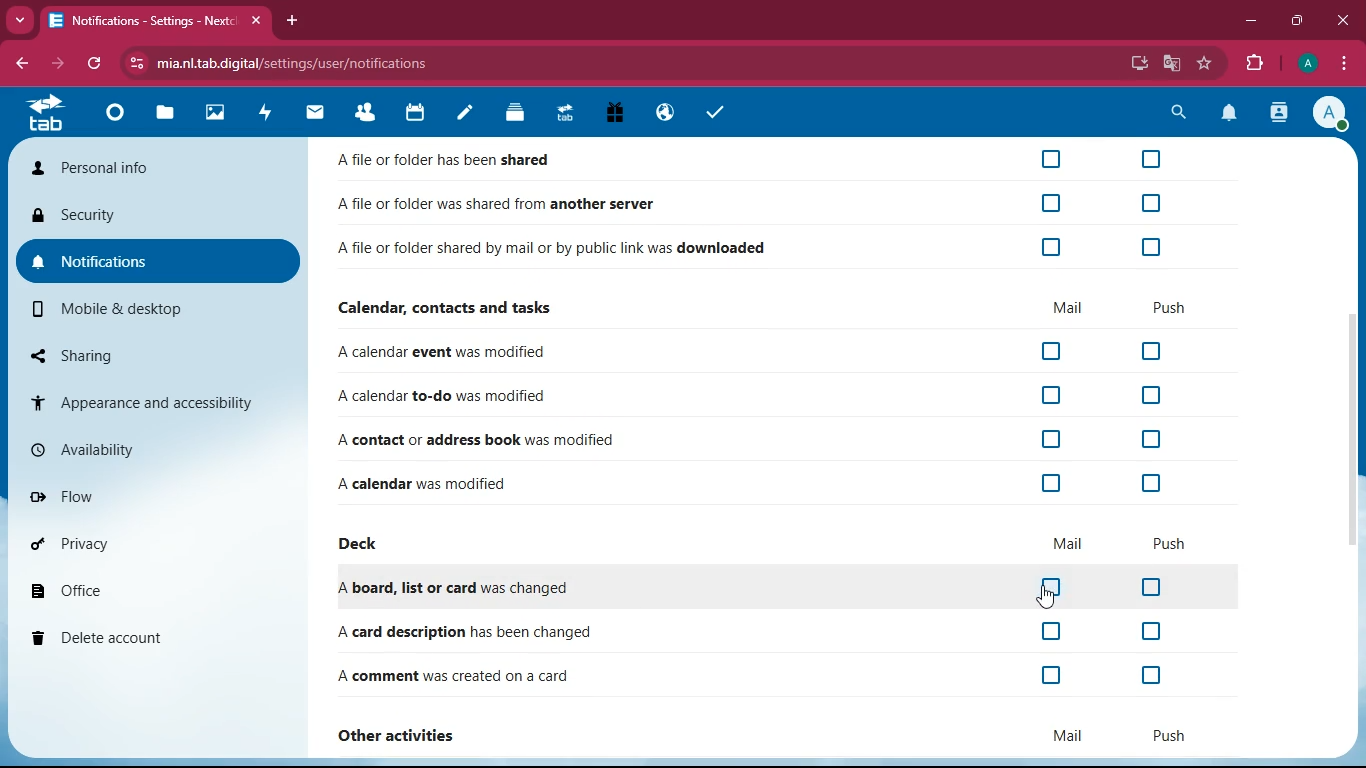 The height and width of the screenshot is (768, 1366). Describe the element at coordinates (20, 20) in the screenshot. I see `more` at that location.